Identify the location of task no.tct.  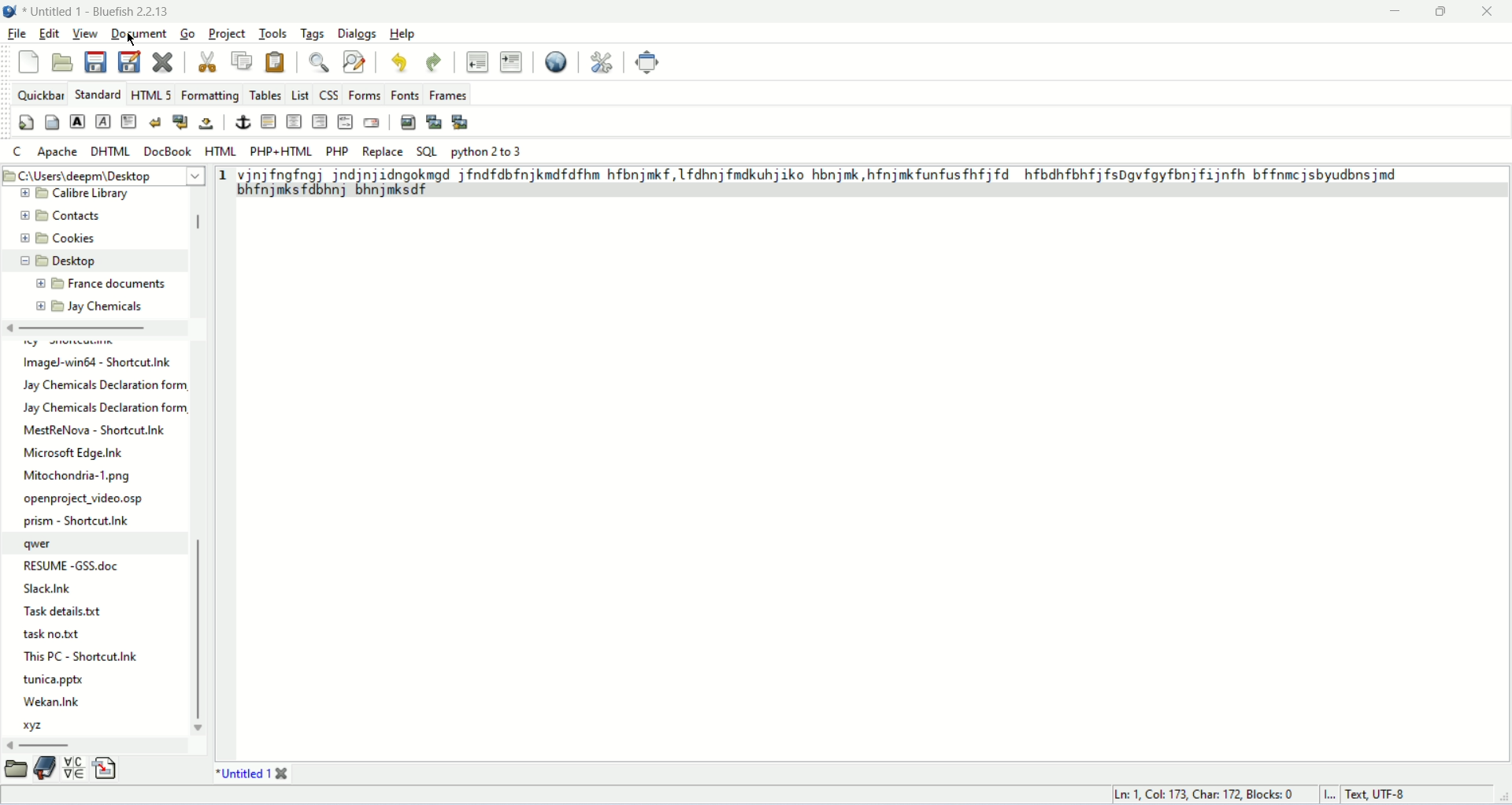
(56, 632).